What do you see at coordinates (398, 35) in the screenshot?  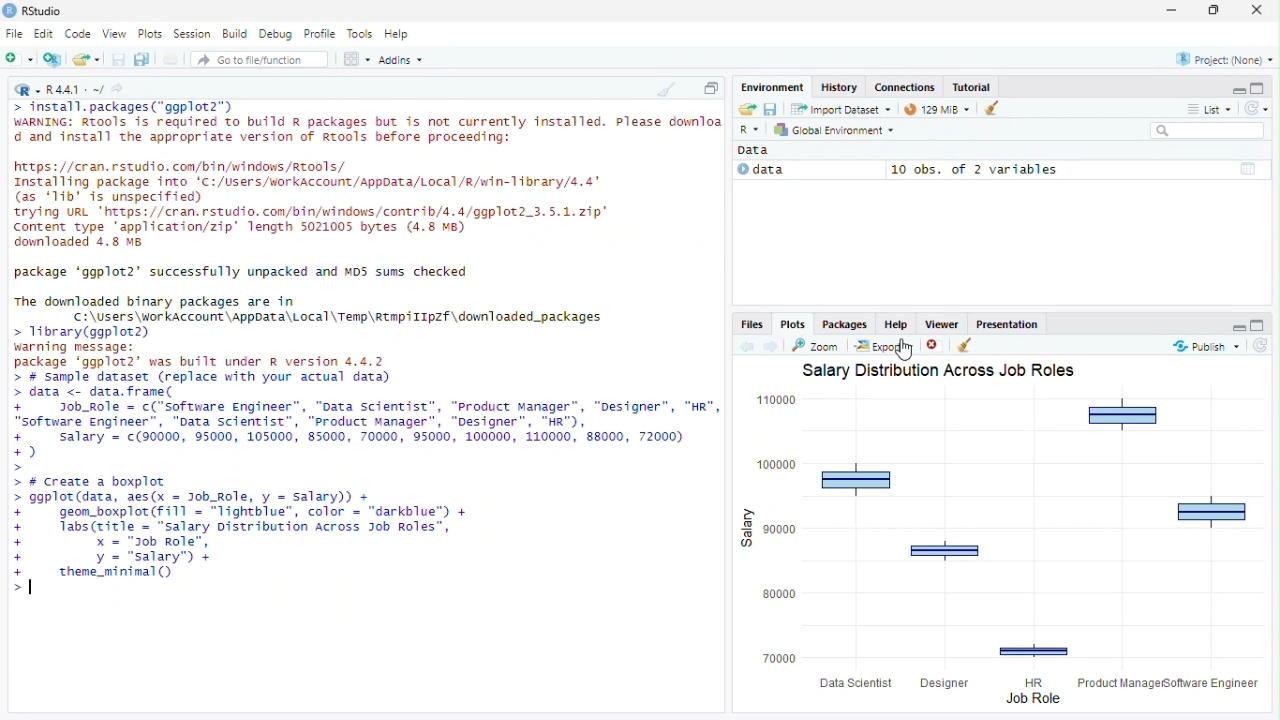 I see `Help` at bounding box center [398, 35].